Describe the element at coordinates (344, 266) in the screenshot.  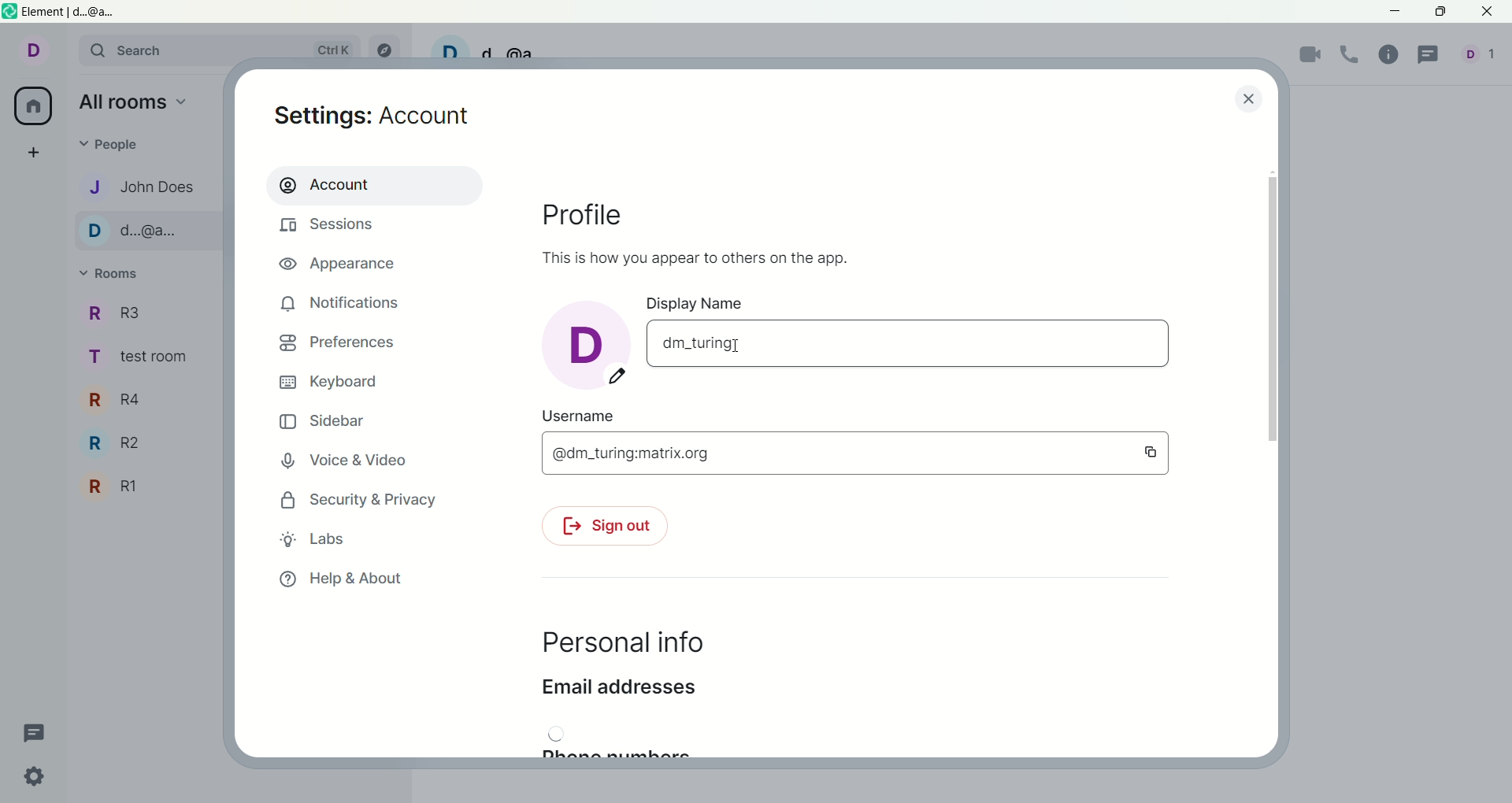
I see `appearance` at that location.